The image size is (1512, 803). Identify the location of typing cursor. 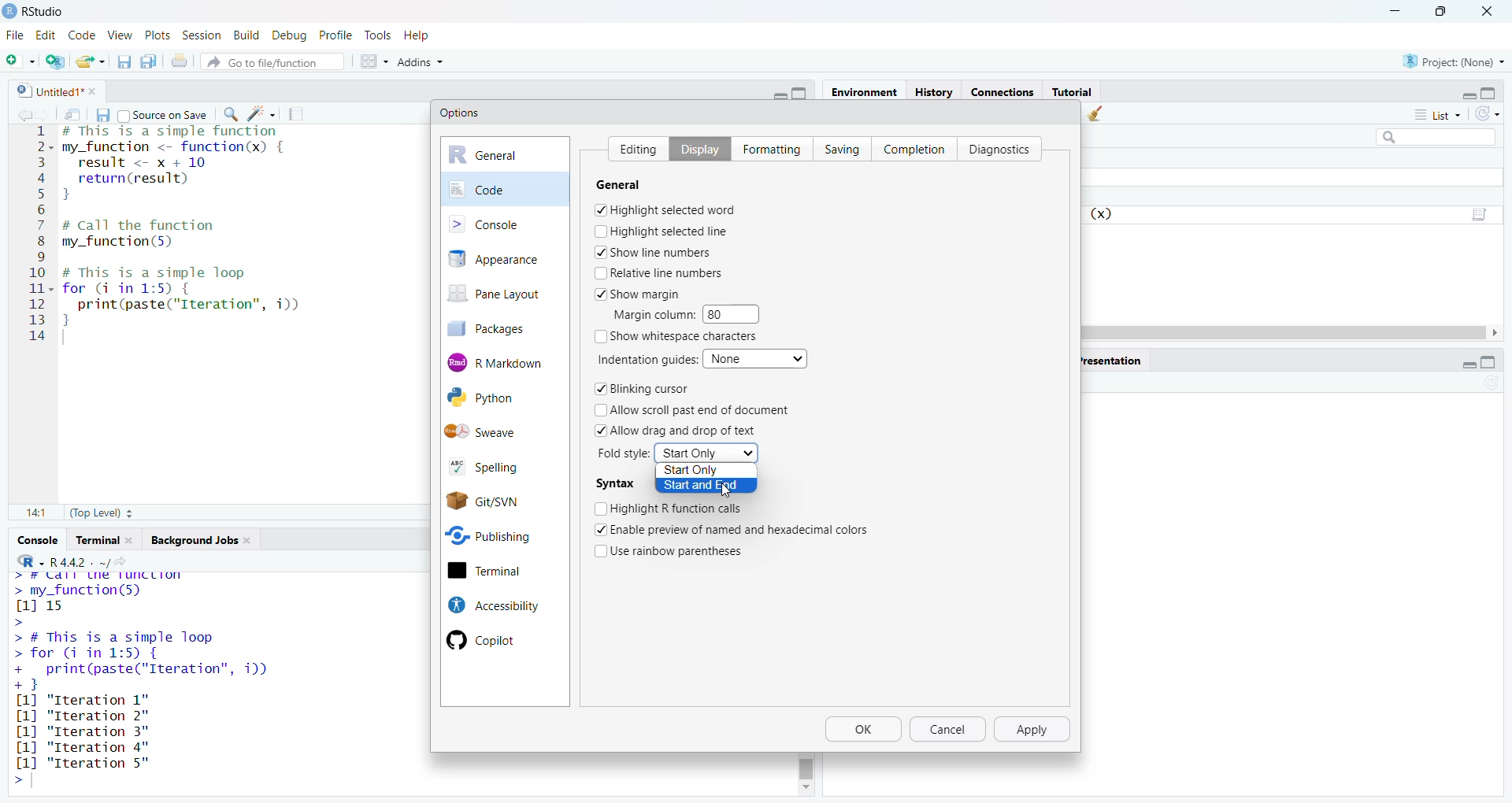
(69, 339).